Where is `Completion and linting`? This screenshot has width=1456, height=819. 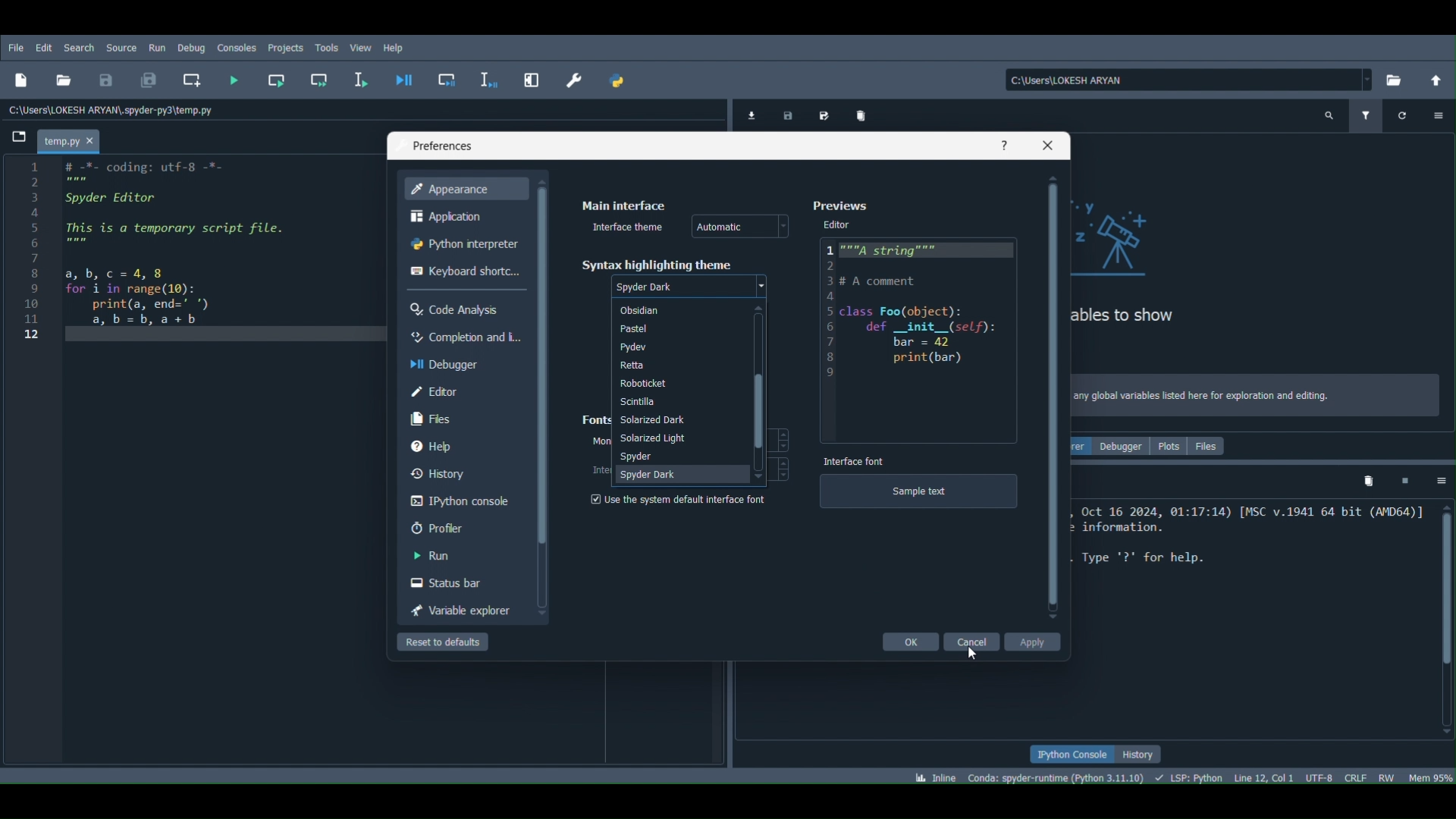 Completion and linting is located at coordinates (468, 337).